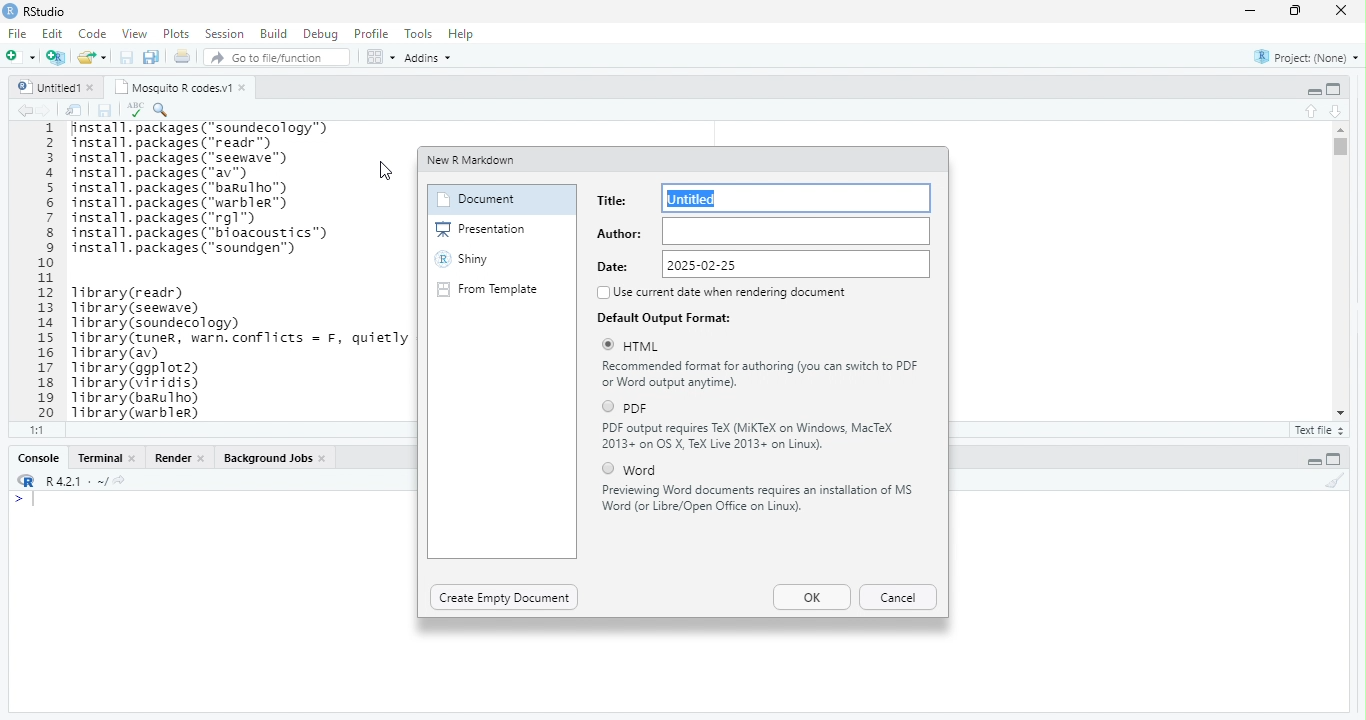 Image resolution: width=1366 pixels, height=720 pixels. I want to click on Untitied1, so click(49, 87).